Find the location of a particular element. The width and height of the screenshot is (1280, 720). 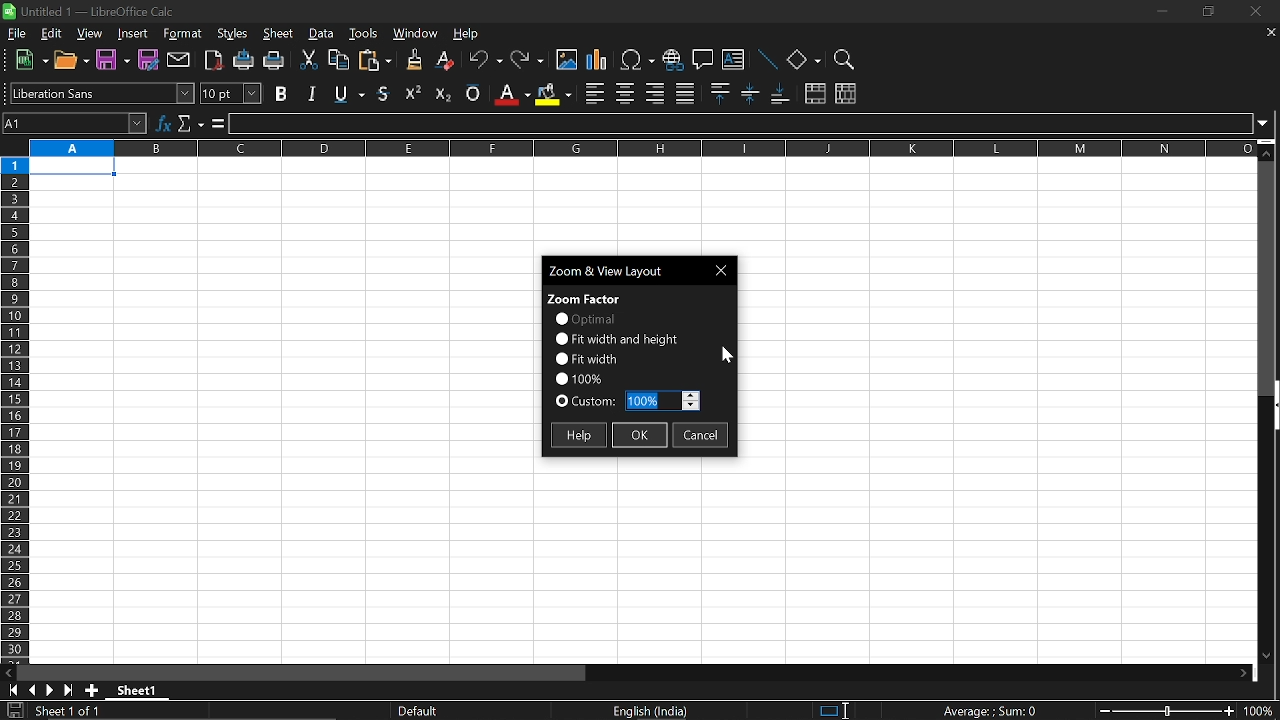

align center is located at coordinates (625, 94).